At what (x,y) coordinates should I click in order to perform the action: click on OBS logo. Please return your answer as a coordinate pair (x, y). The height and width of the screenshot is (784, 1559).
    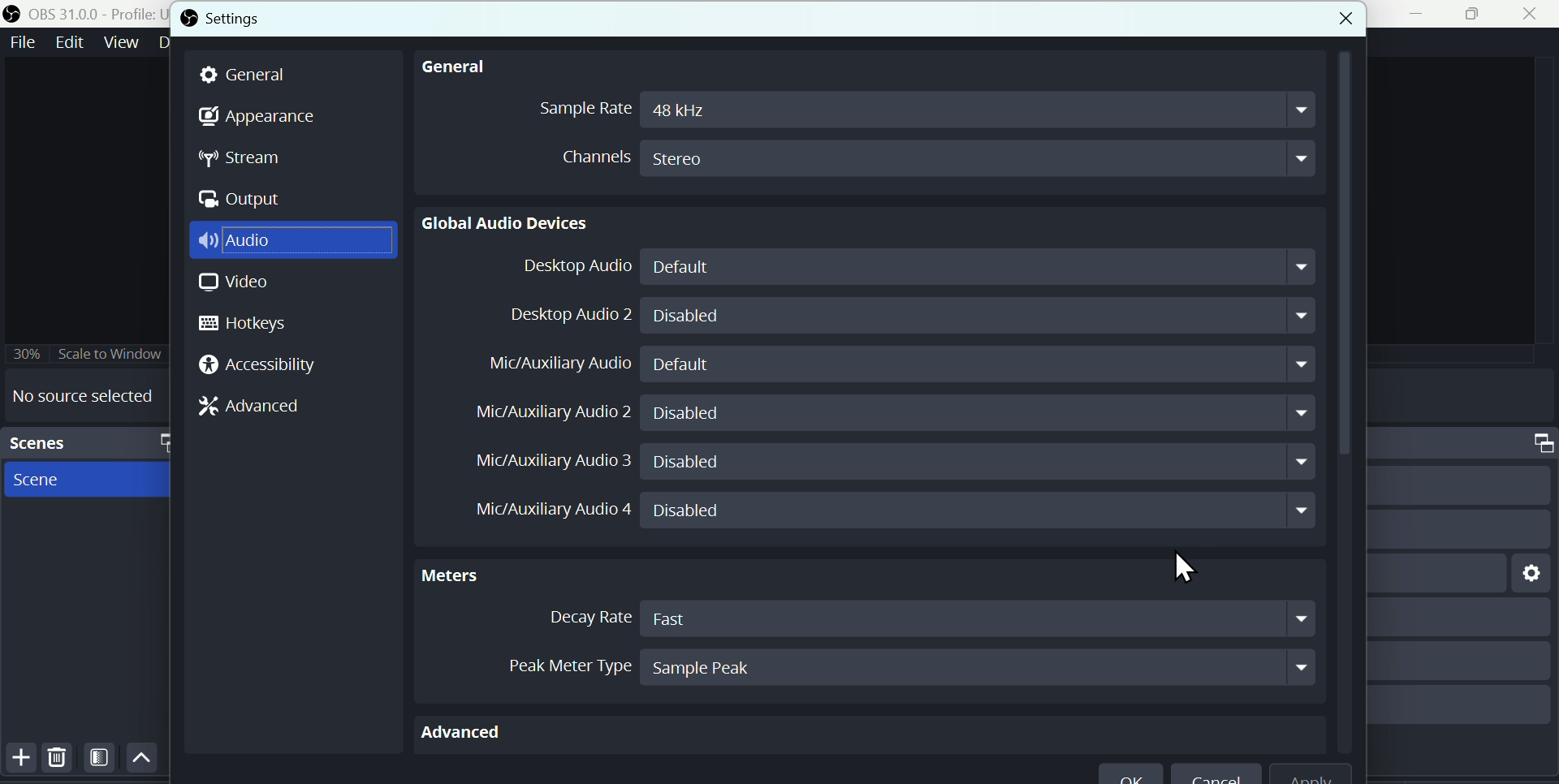
    Looking at the image, I should click on (14, 13).